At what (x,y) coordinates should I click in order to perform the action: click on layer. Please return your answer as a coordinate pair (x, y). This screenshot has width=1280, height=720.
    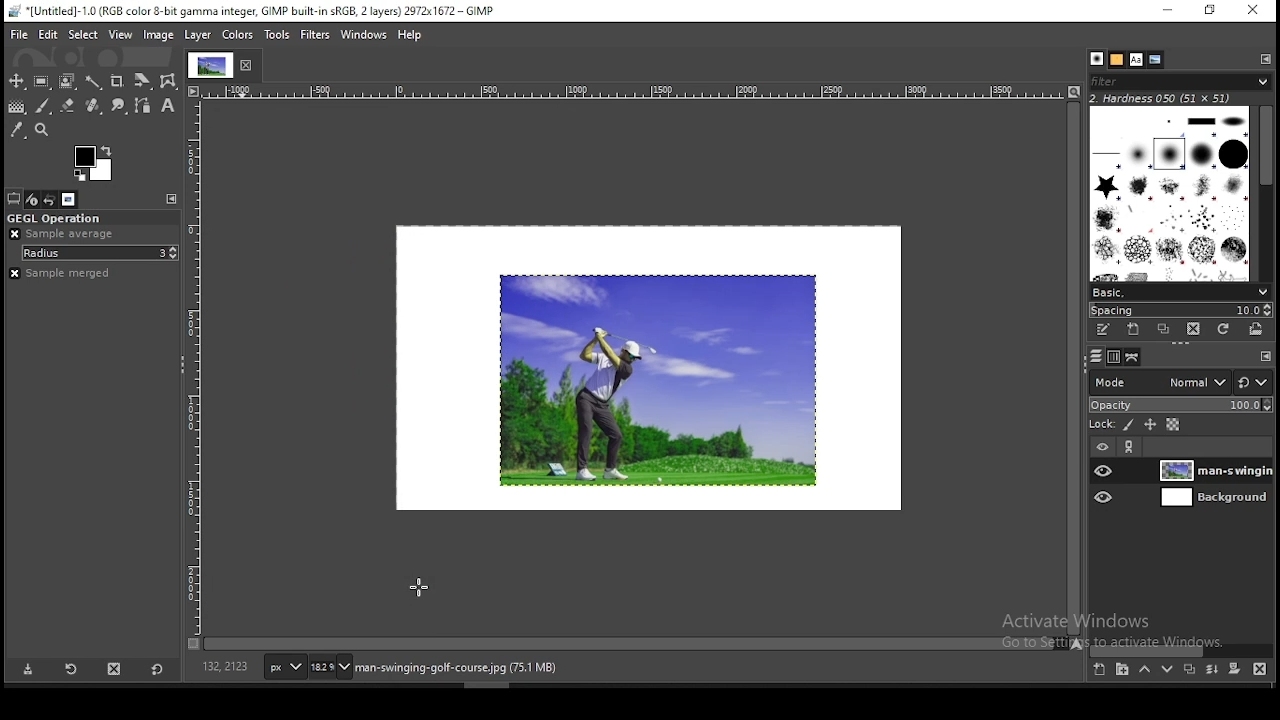
    Looking at the image, I should click on (1216, 500).